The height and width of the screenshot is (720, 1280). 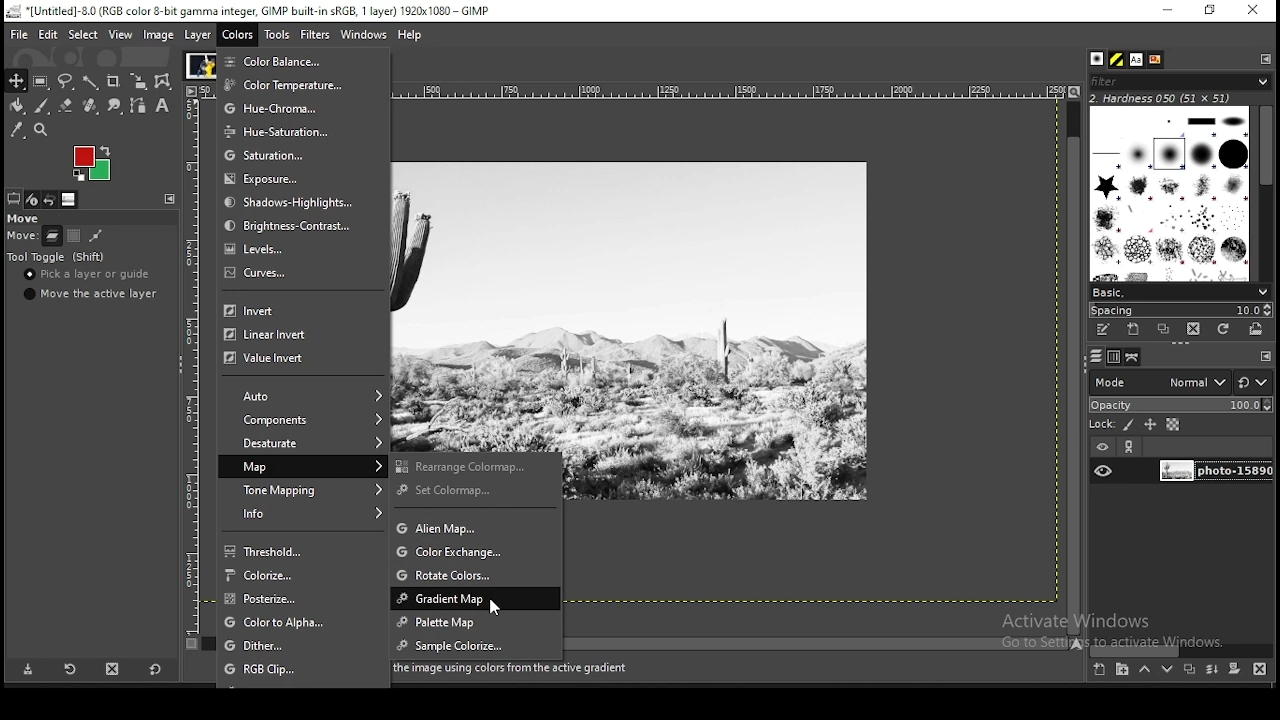 I want to click on configure this pane, so click(x=1264, y=356).